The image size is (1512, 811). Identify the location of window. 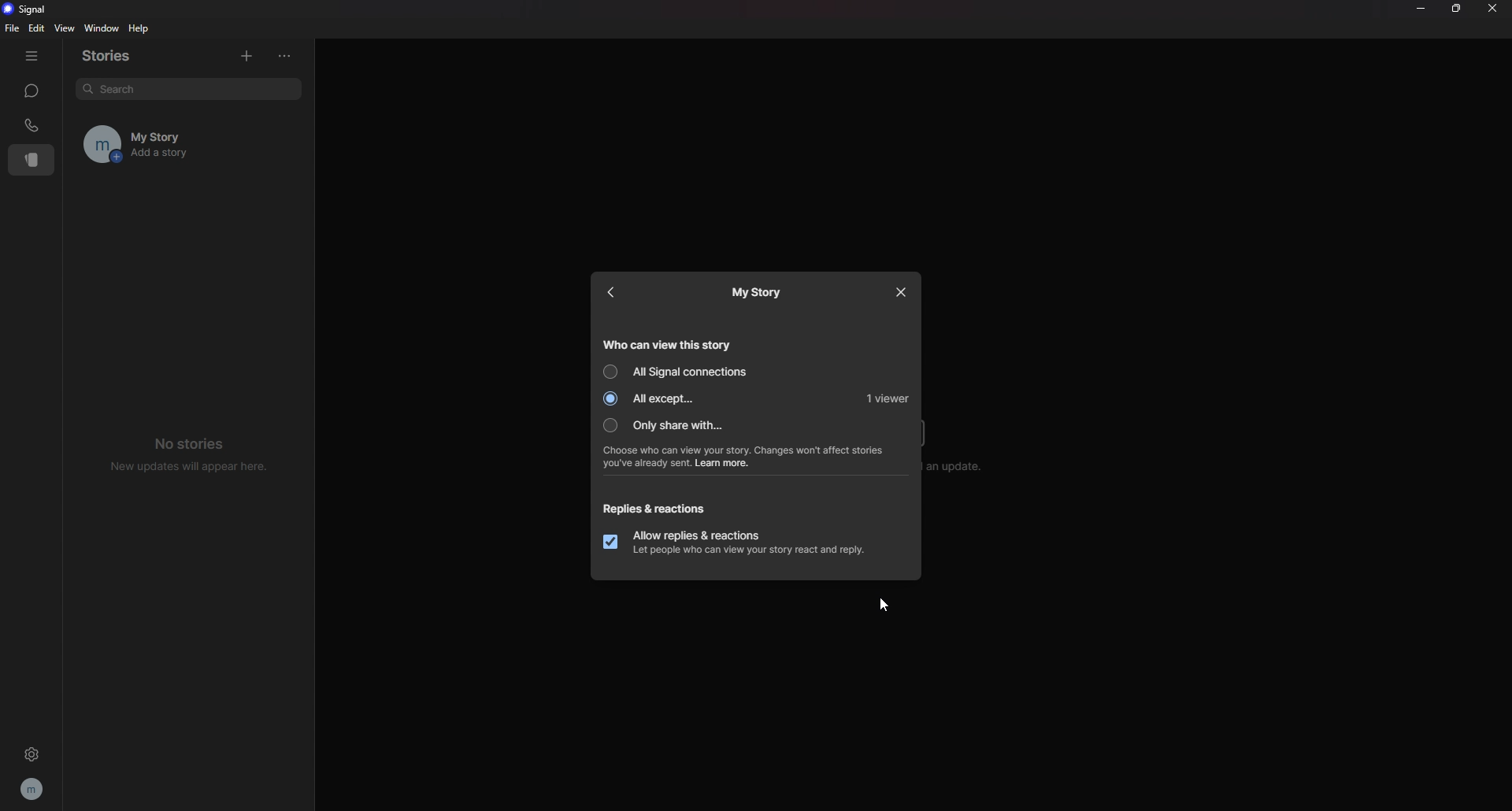
(104, 29).